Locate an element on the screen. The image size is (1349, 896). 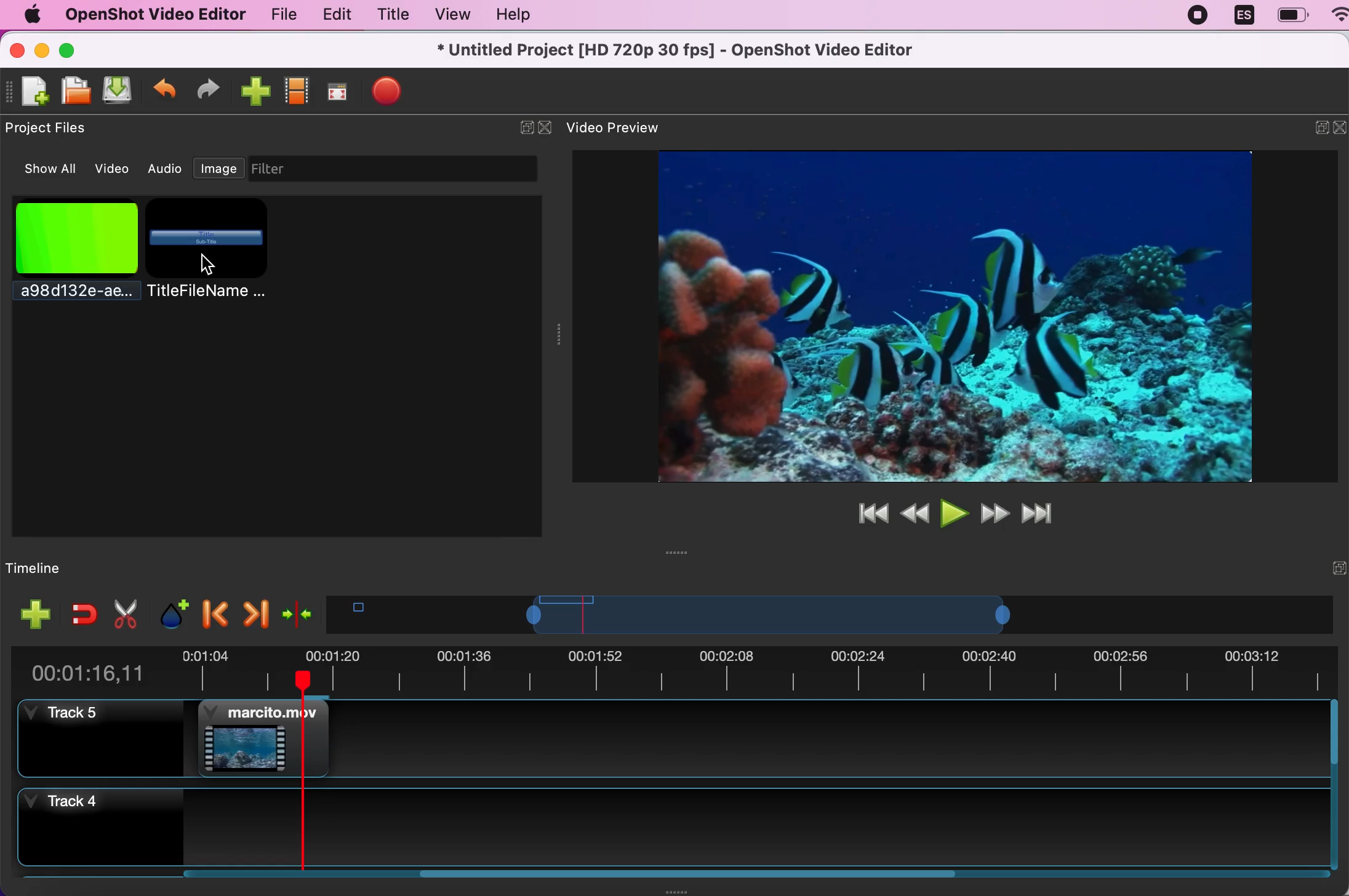
jump to end is located at coordinates (1046, 514).